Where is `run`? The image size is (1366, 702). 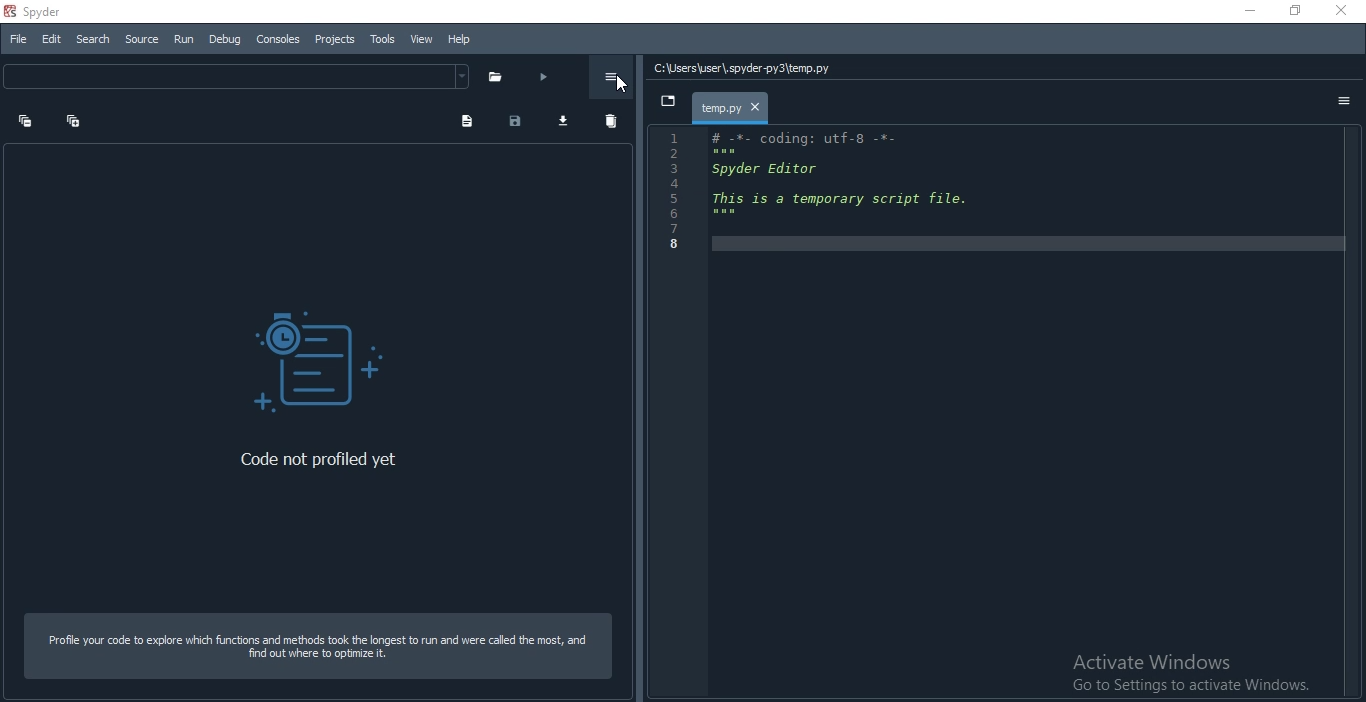
run is located at coordinates (542, 79).